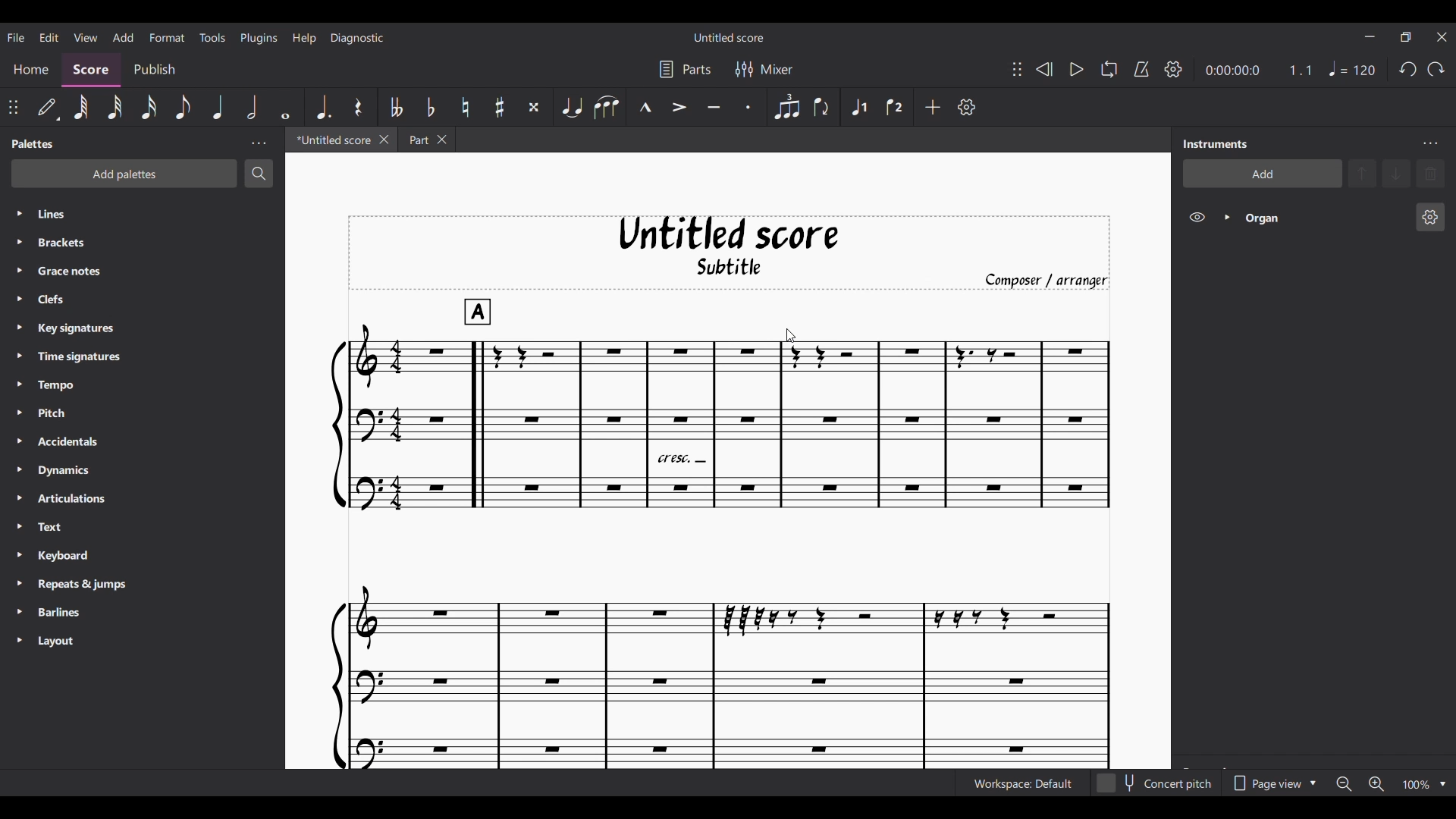 This screenshot has width=1456, height=819. What do you see at coordinates (426, 140) in the screenshot?
I see `Earlier tab` at bounding box center [426, 140].